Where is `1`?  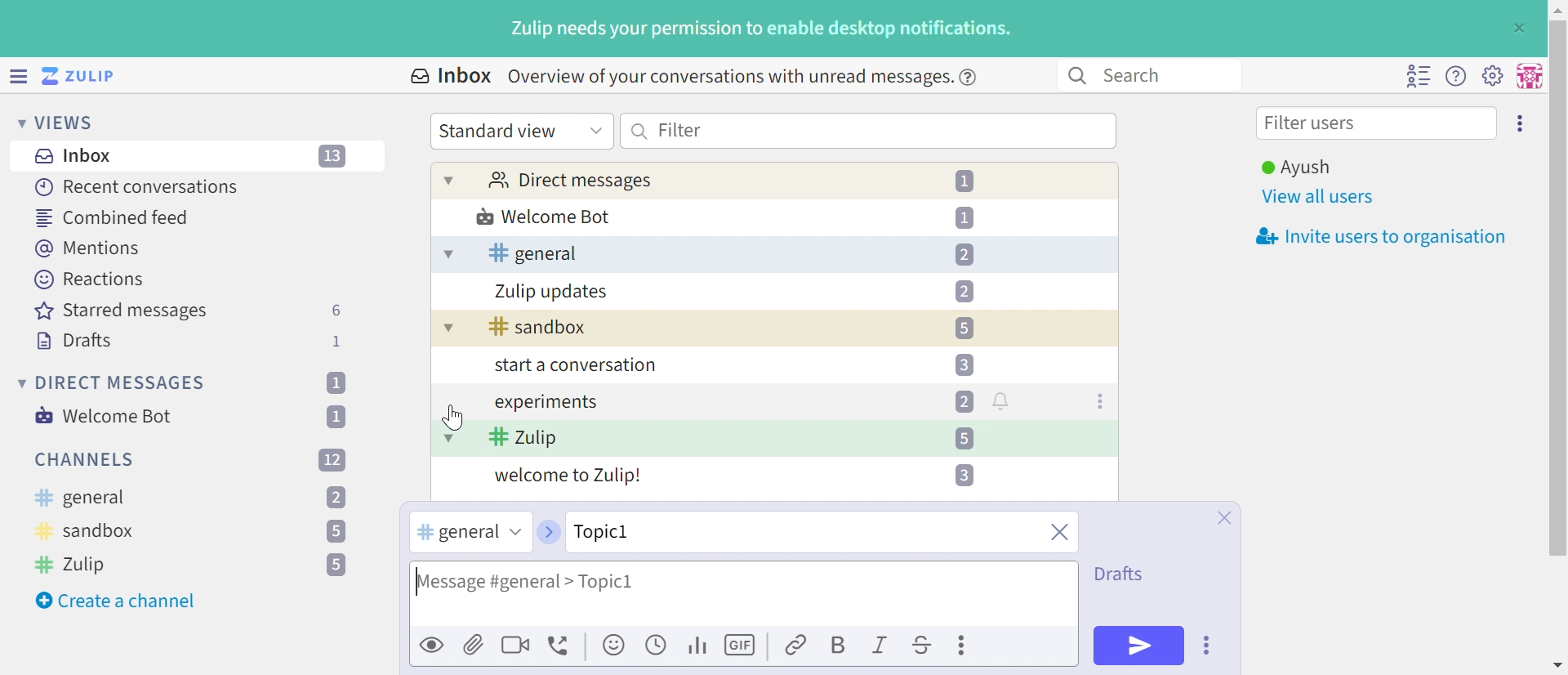 1 is located at coordinates (339, 341).